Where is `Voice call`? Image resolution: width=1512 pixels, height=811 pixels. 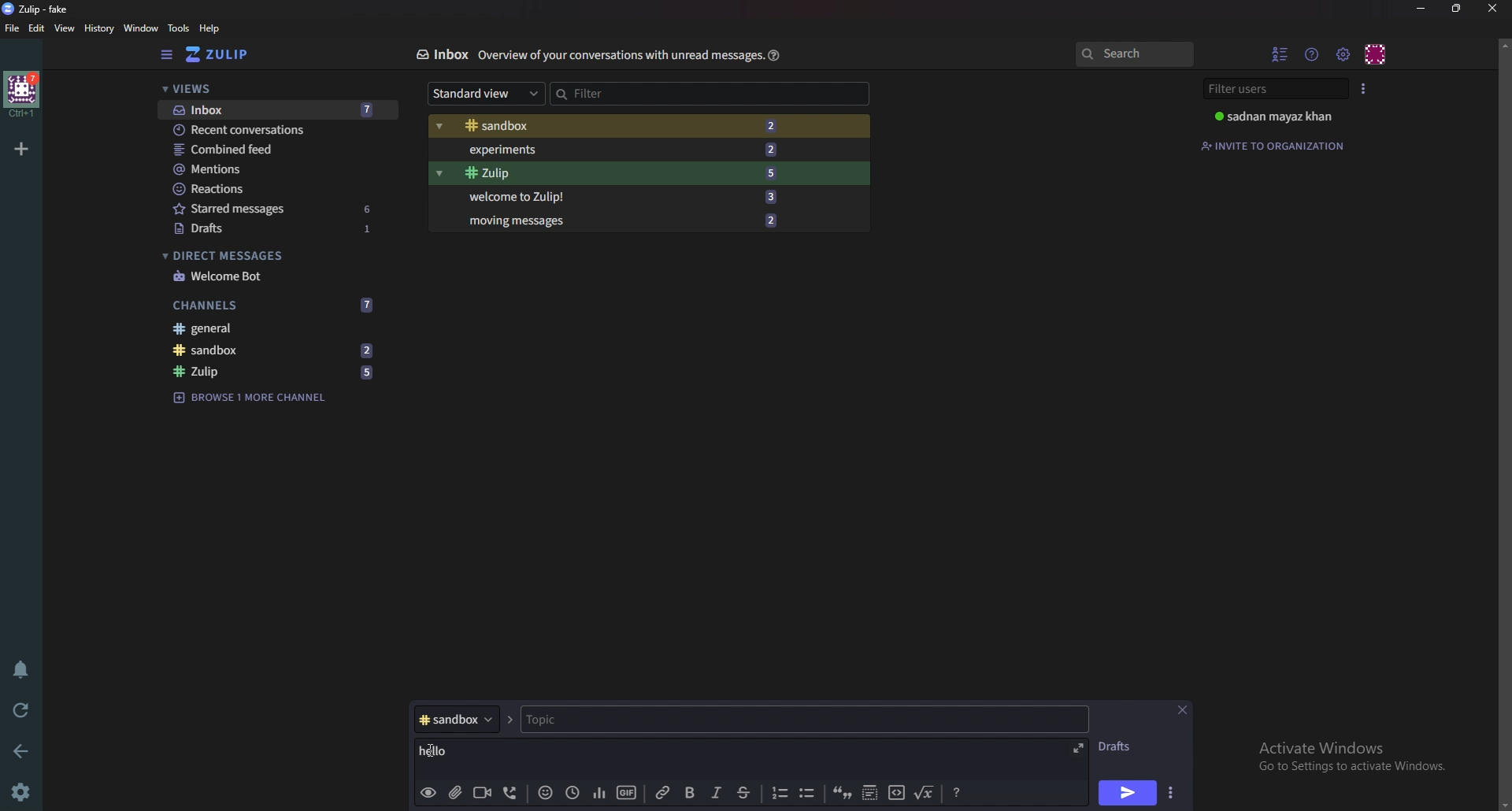
Voice call is located at coordinates (510, 791).